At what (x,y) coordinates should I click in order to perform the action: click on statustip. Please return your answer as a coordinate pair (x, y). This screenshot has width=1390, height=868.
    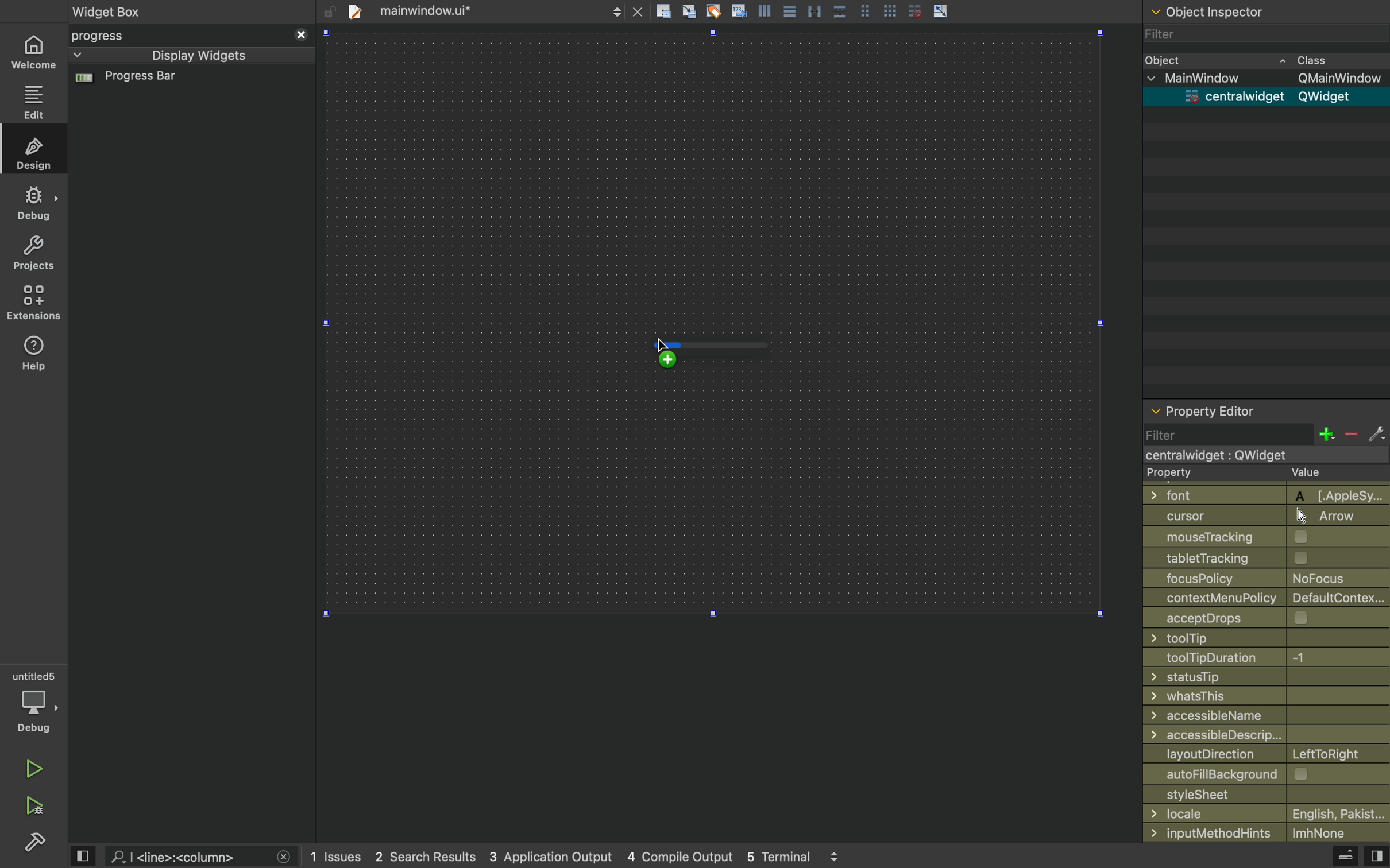
    Looking at the image, I should click on (1262, 676).